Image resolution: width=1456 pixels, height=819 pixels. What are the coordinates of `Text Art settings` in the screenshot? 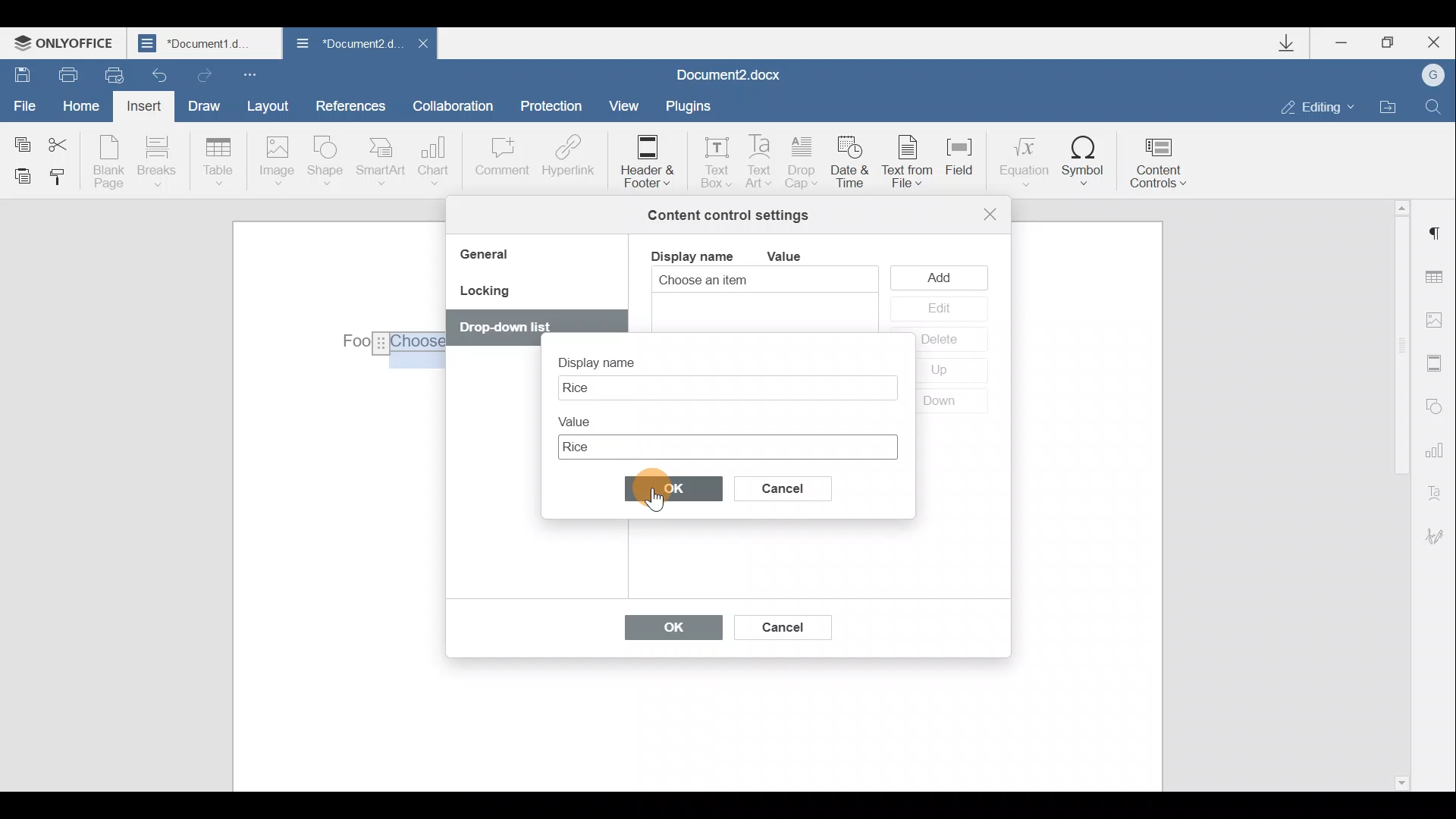 It's located at (1439, 490).